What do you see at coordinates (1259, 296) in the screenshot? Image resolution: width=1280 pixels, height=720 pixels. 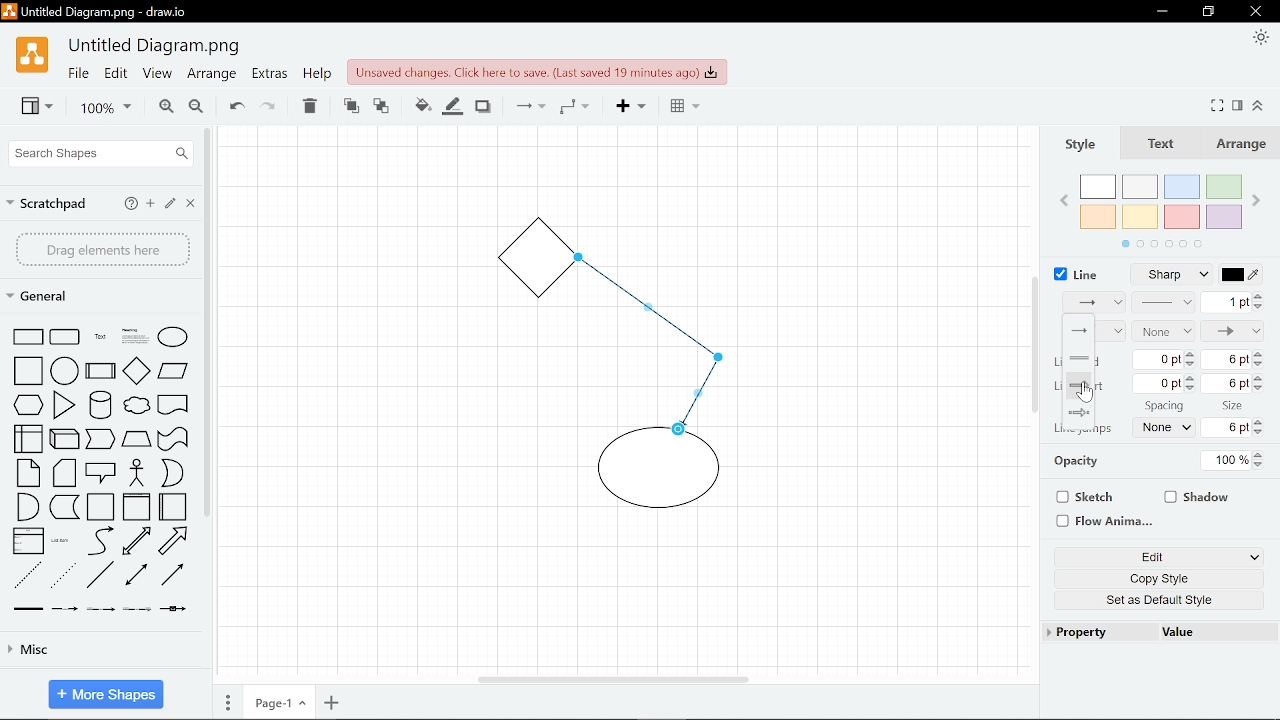 I see `Increase thickness` at bounding box center [1259, 296].